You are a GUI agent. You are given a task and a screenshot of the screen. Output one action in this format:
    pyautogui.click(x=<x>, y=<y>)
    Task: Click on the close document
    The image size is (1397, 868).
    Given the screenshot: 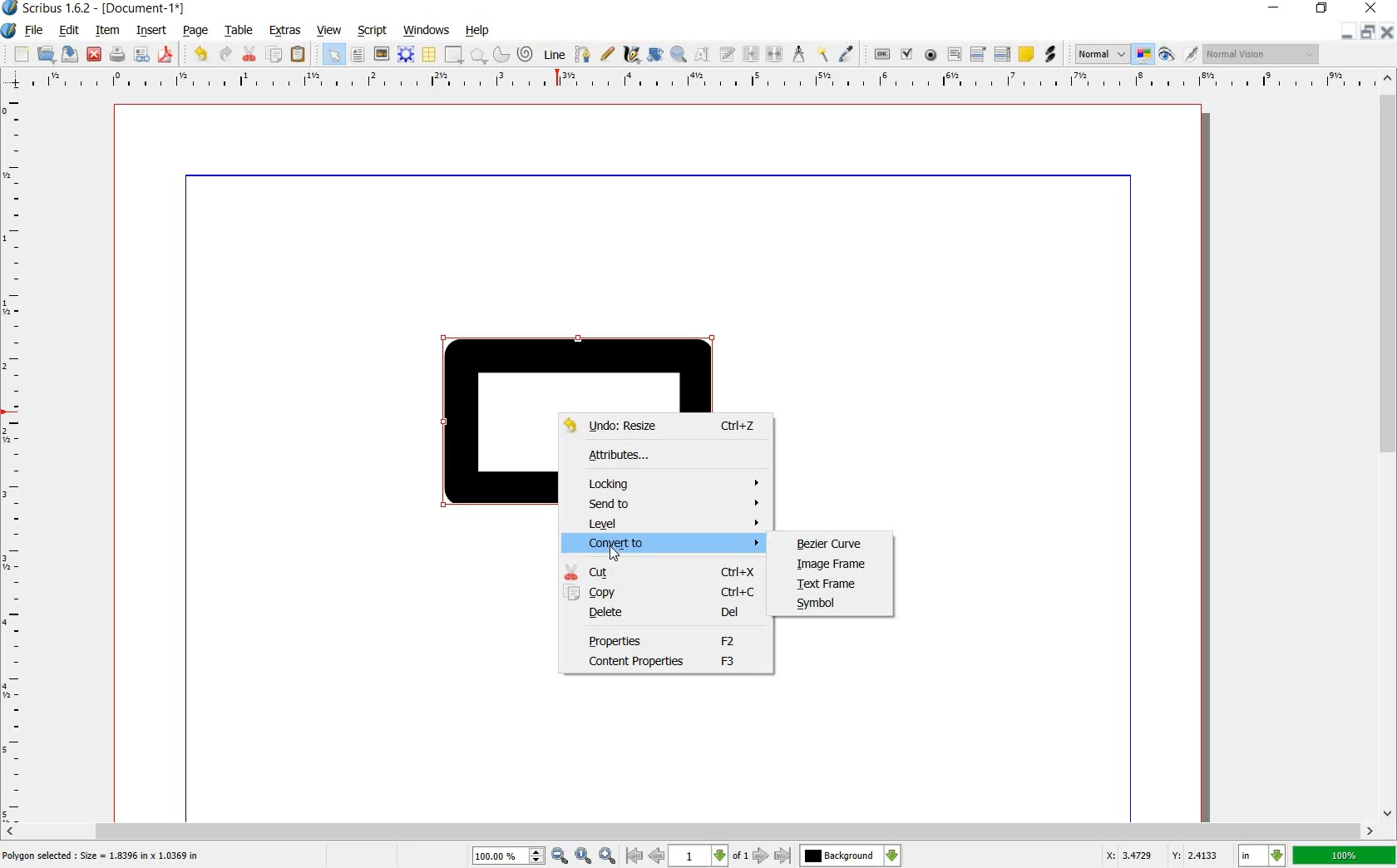 What is the action you would take?
    pyautogui.click(x=1389, y=30)
    